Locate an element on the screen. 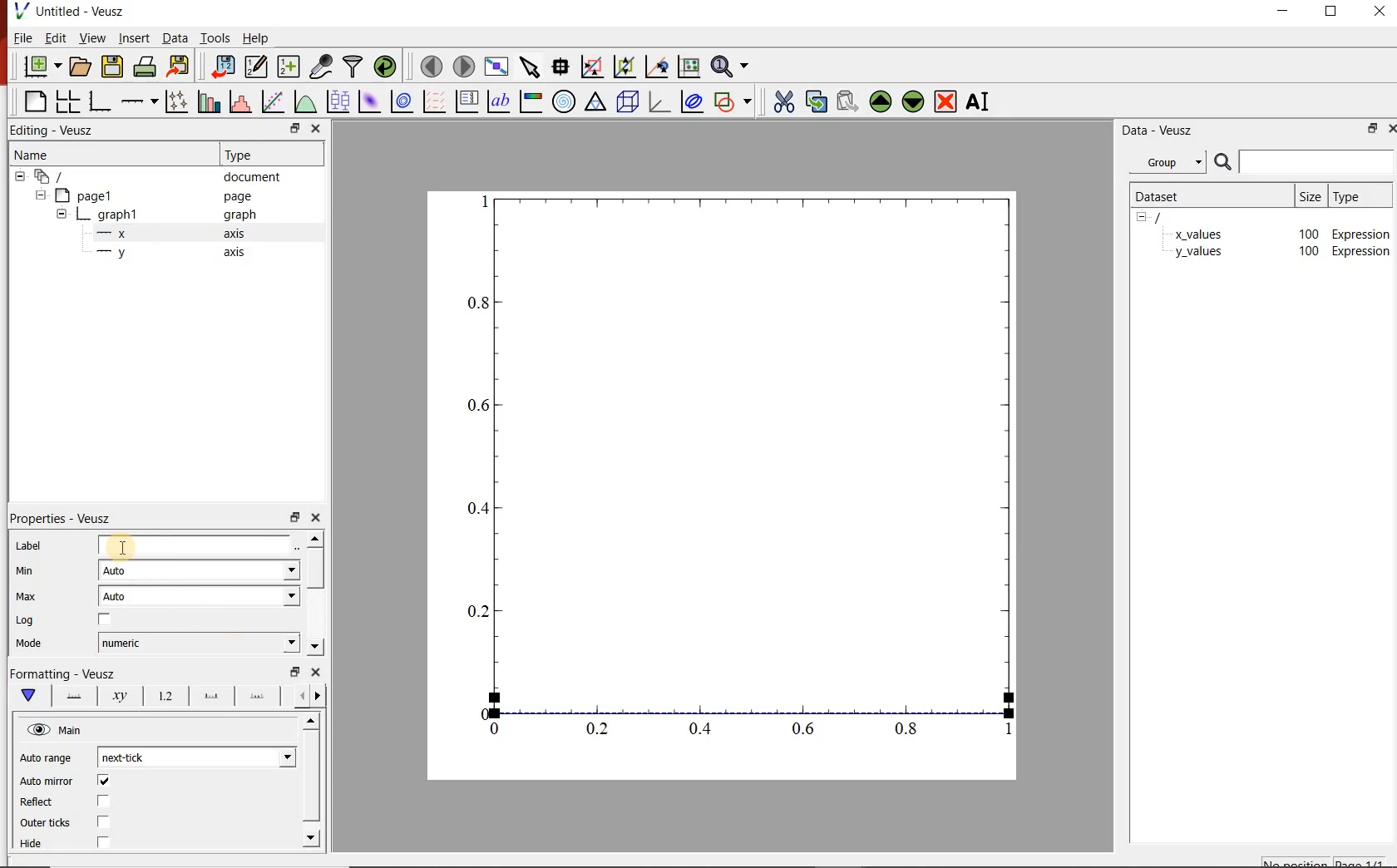 Image resolution: width=1397 pixels, height=868 pixels. remove the selected widget is located at coordinates (945, 104).